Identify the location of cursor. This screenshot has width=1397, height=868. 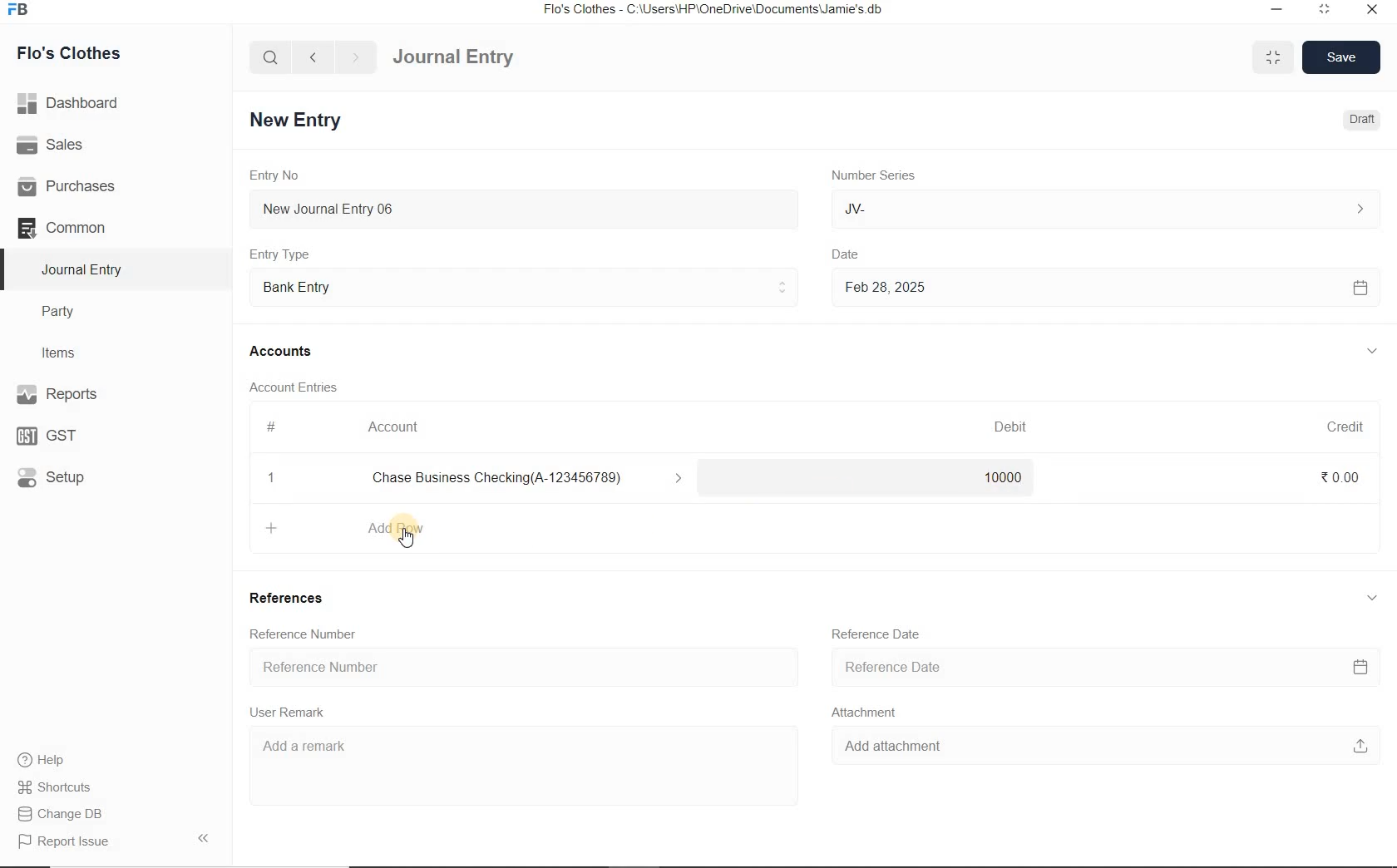
(410, 543).